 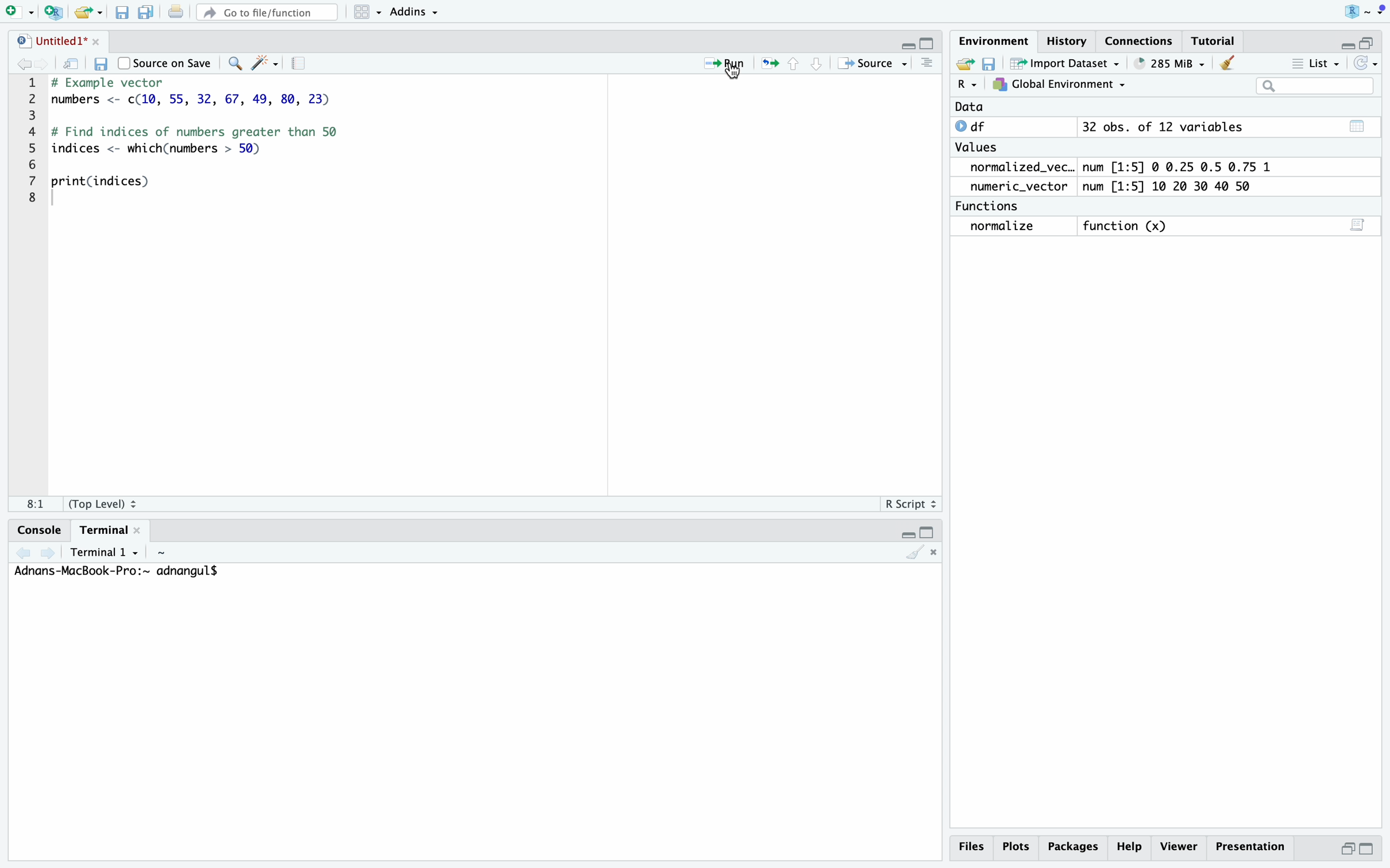 What do you see at coordinates (926, 552) in the screenshot?
I see `CLEAN UP` at bounding box center [926, 552].